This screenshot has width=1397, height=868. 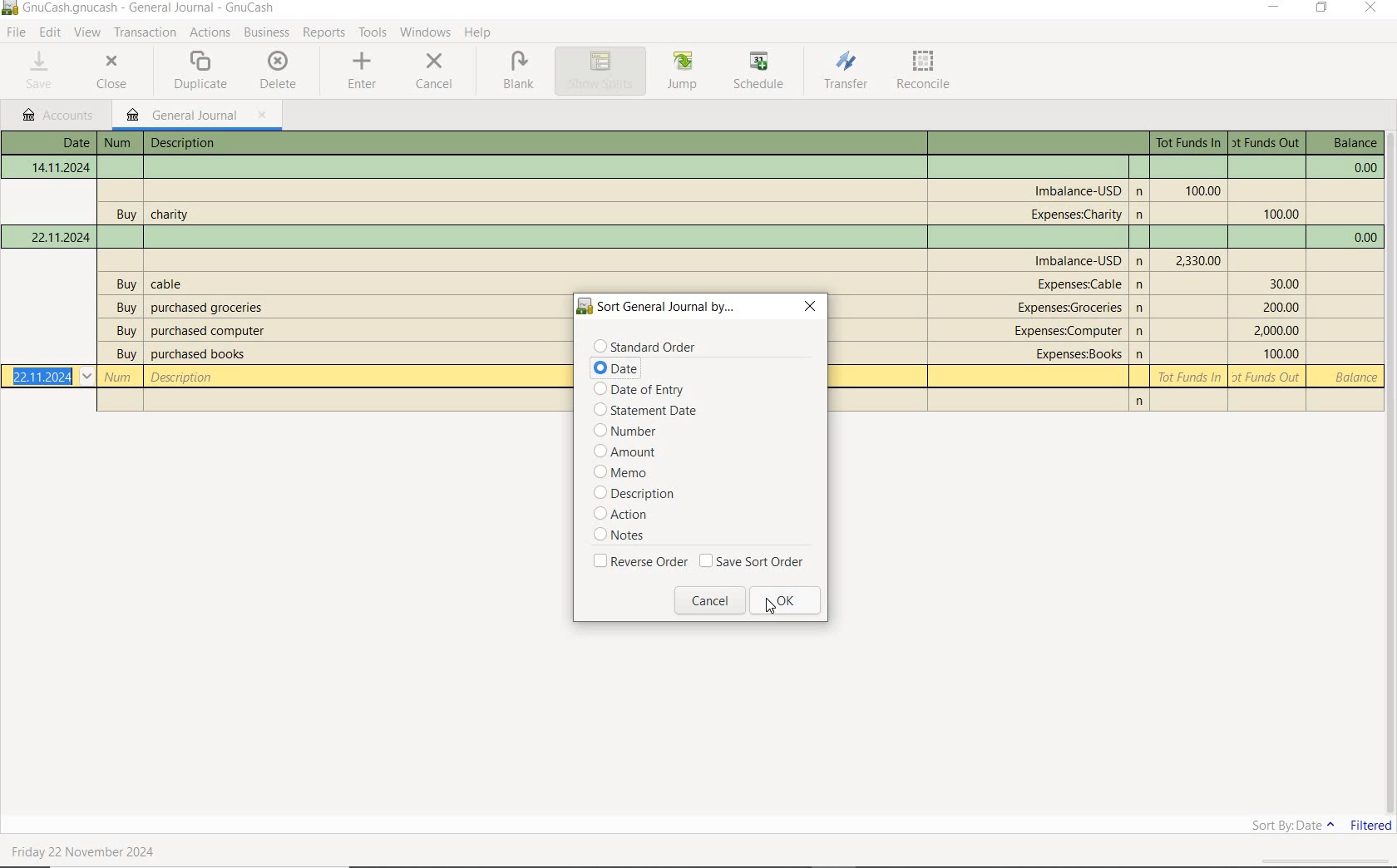 What do you see at coordinates (1140, 403) in the screenshot?
I see `n` at bounding box center [1140, 403].